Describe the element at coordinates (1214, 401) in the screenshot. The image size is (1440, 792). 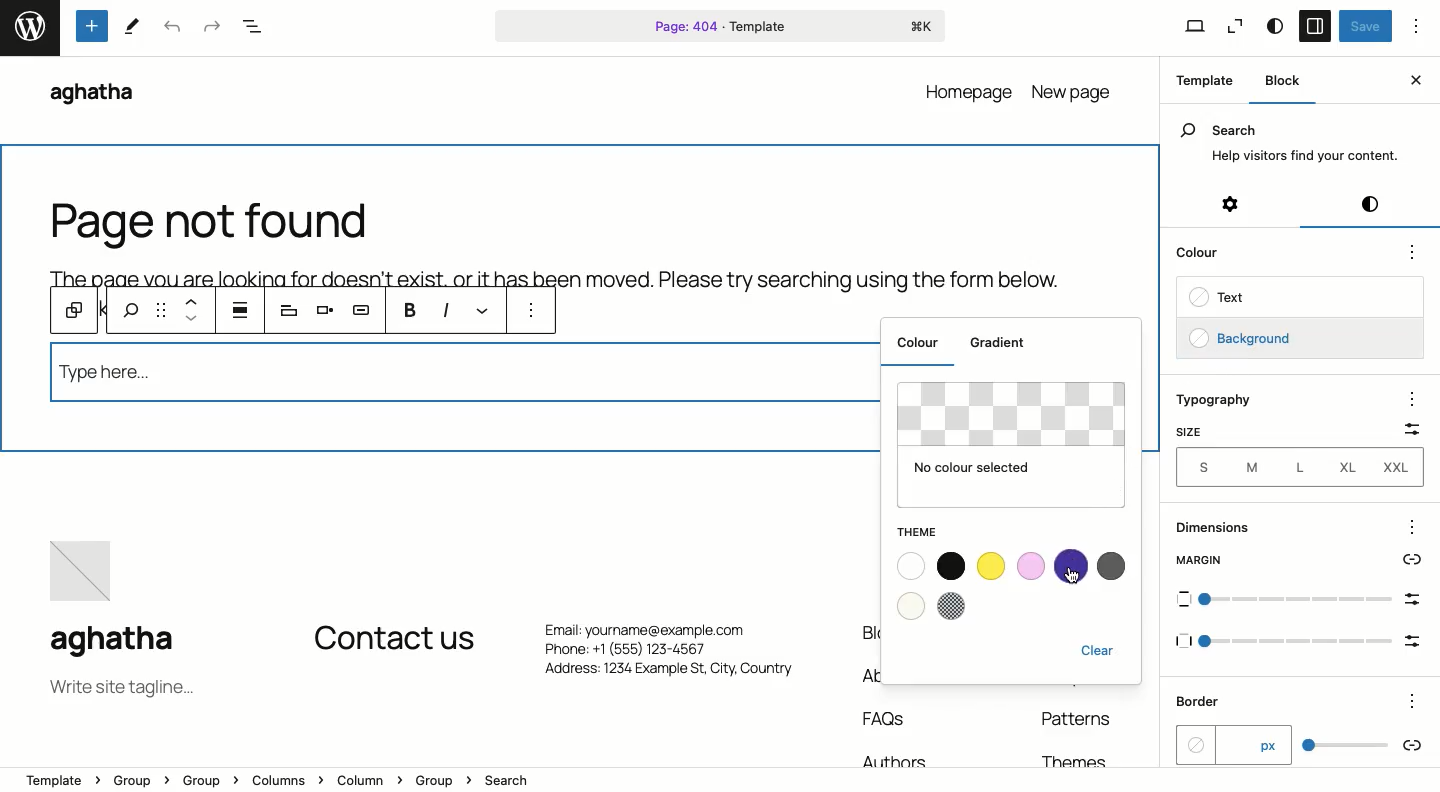
I see `Typography` at that location.